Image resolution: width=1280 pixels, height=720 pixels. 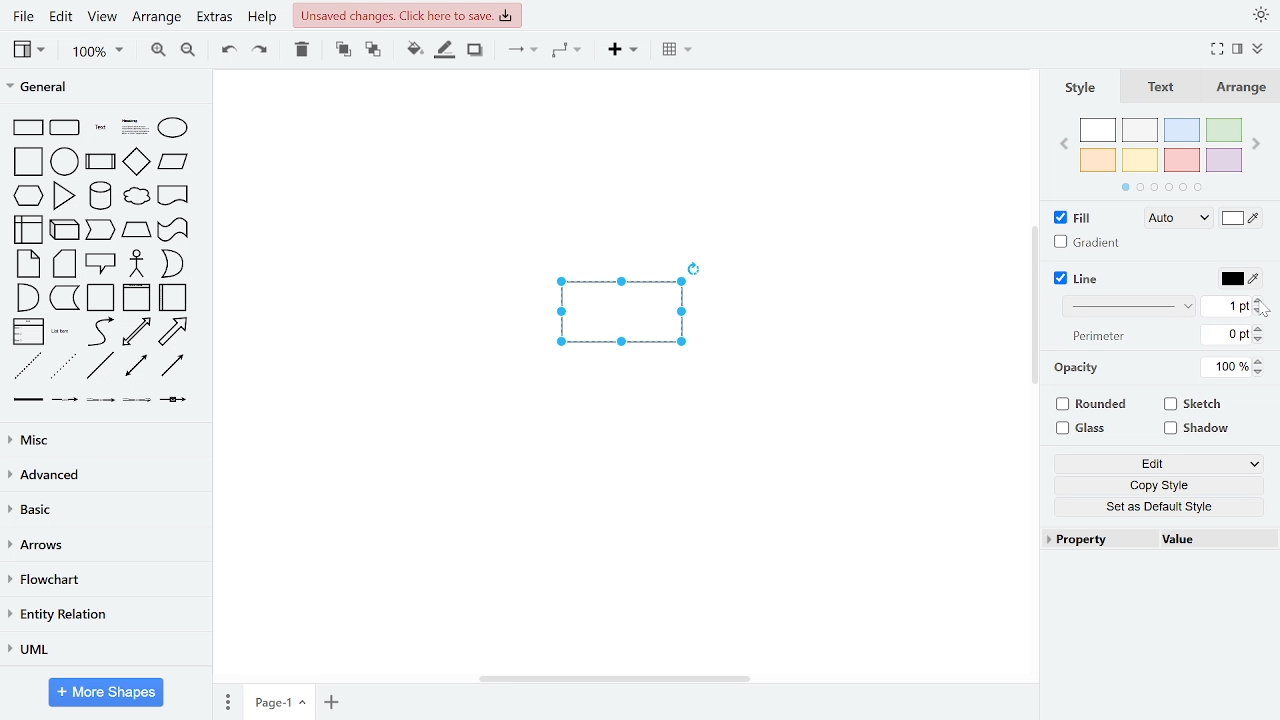 I want to click on pages, so click(x=226, y=701).